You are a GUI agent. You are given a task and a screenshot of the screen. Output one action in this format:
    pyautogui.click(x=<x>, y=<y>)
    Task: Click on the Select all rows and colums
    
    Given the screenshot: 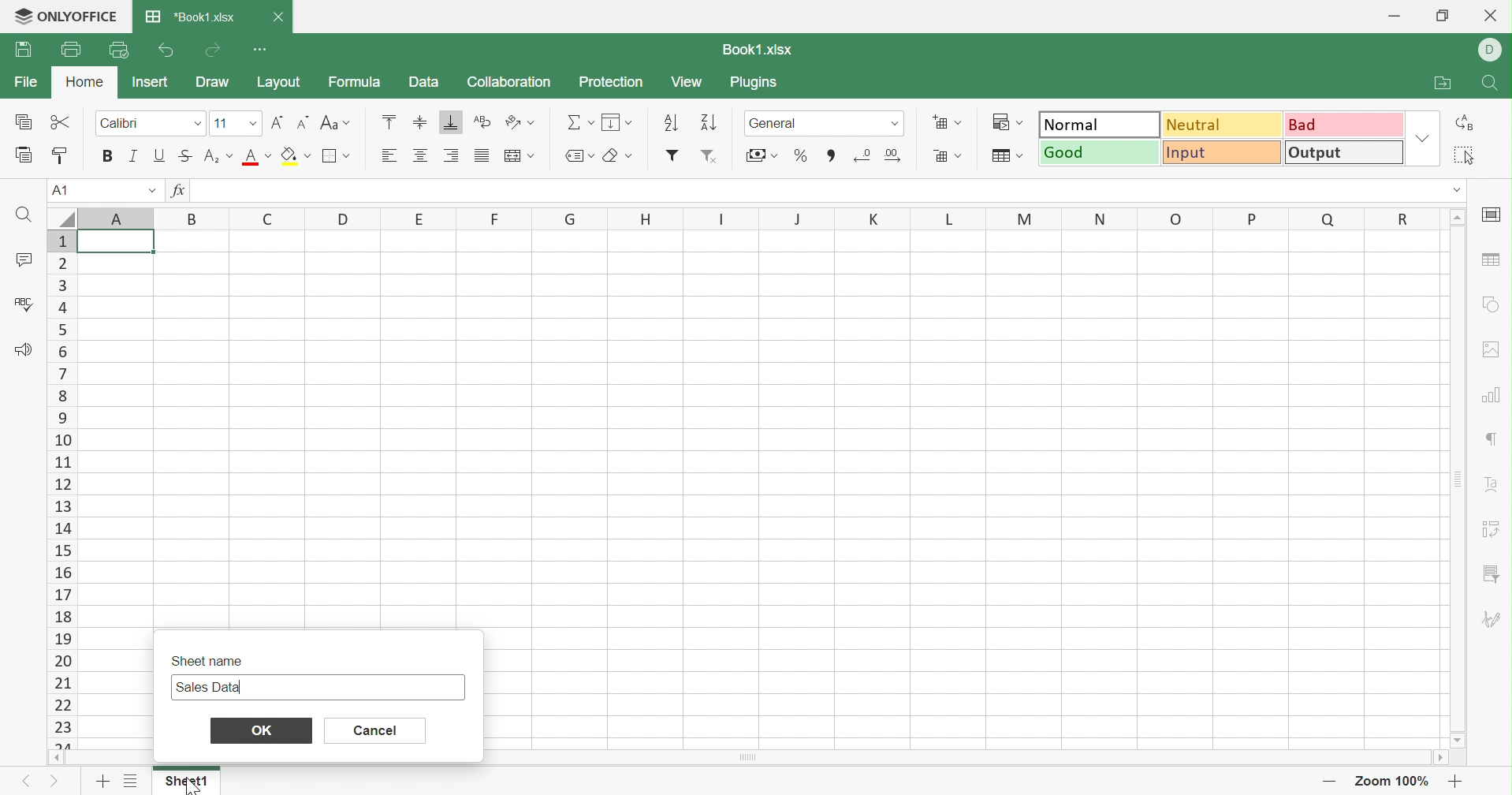 What is the action you would take?
    pyautogui.click(x=61, y=215)
    